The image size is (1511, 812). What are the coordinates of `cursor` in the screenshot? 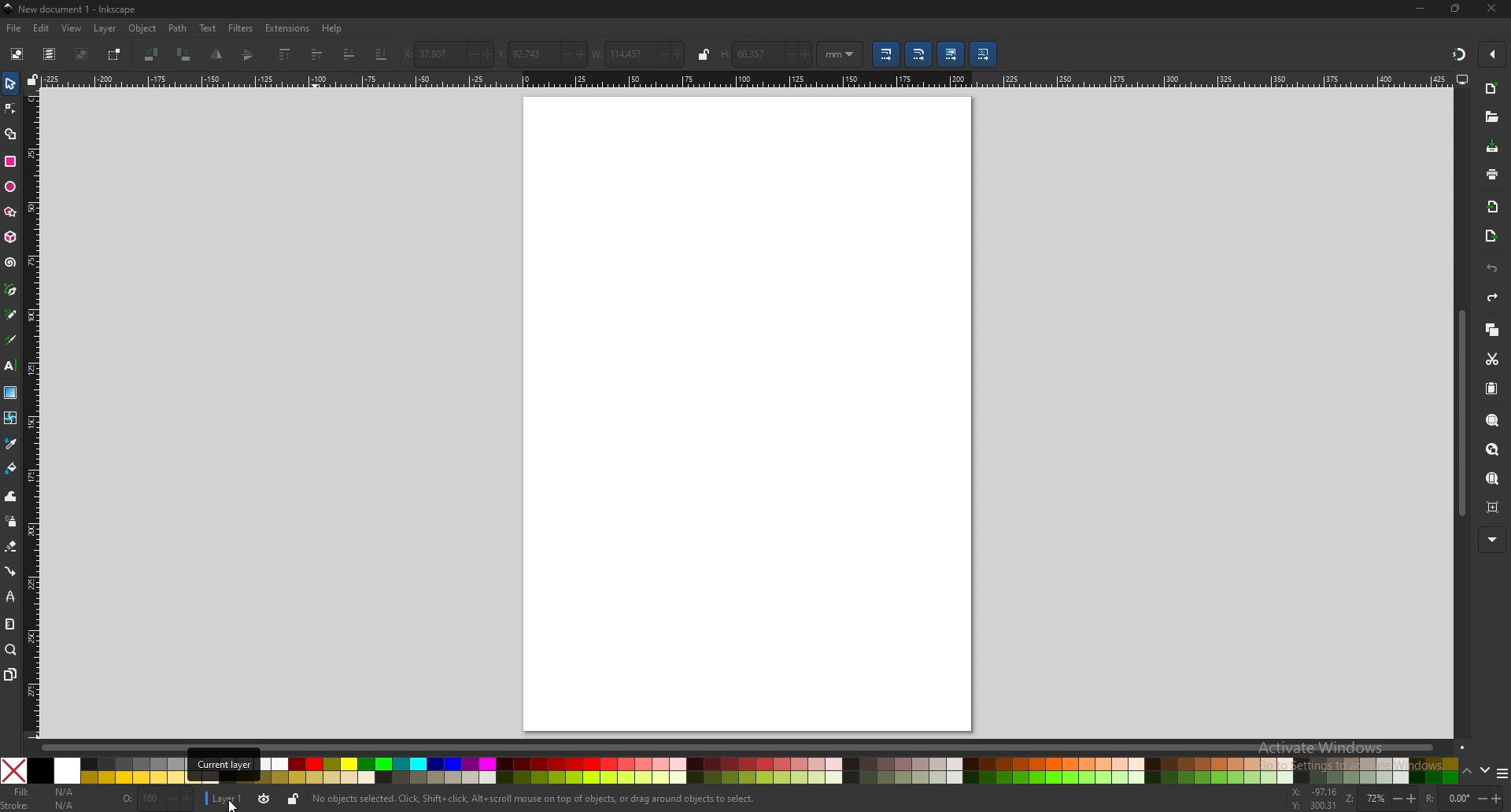 It's located at (234, 805).